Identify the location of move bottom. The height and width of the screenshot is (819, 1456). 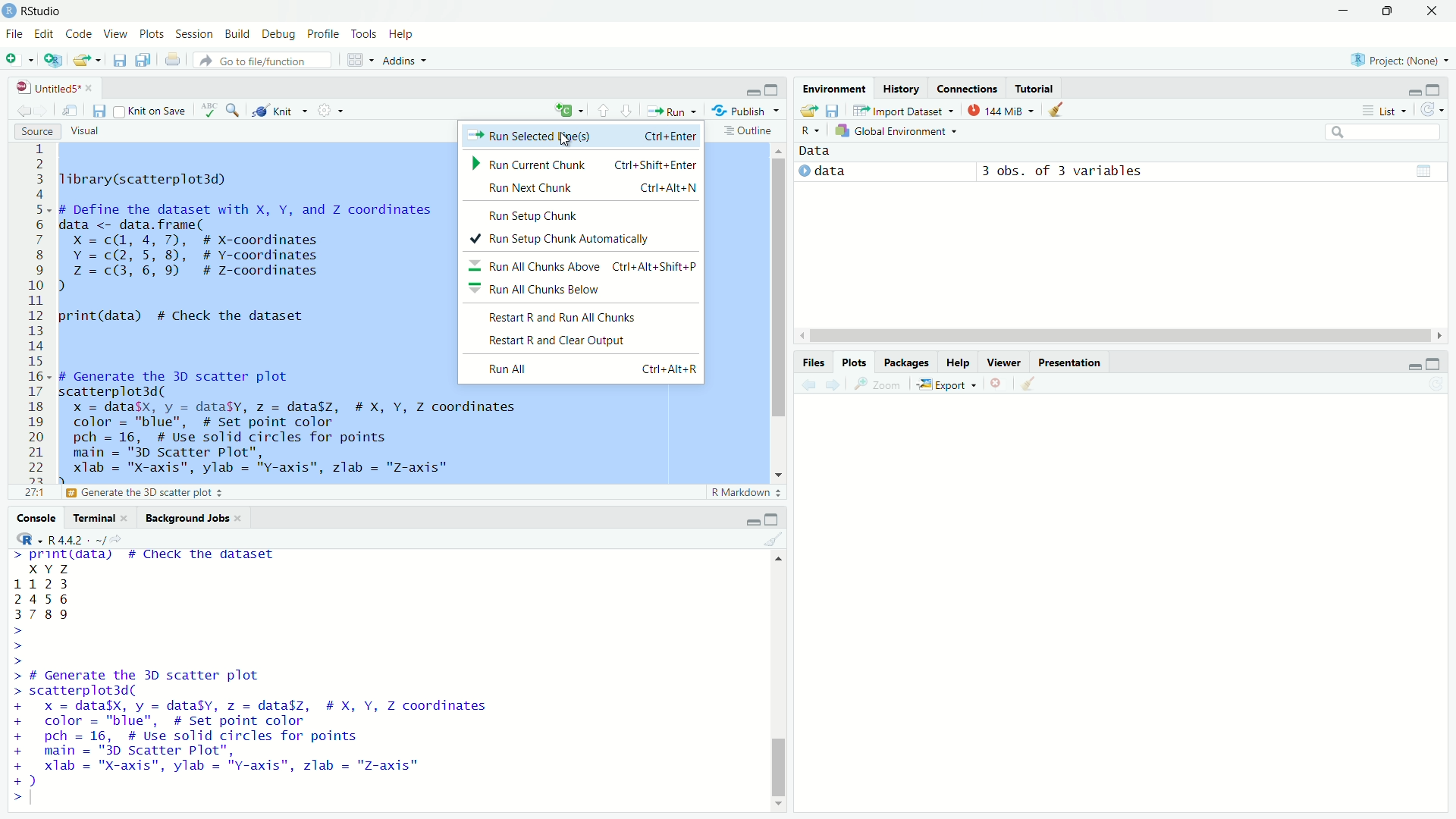
(778, 804).